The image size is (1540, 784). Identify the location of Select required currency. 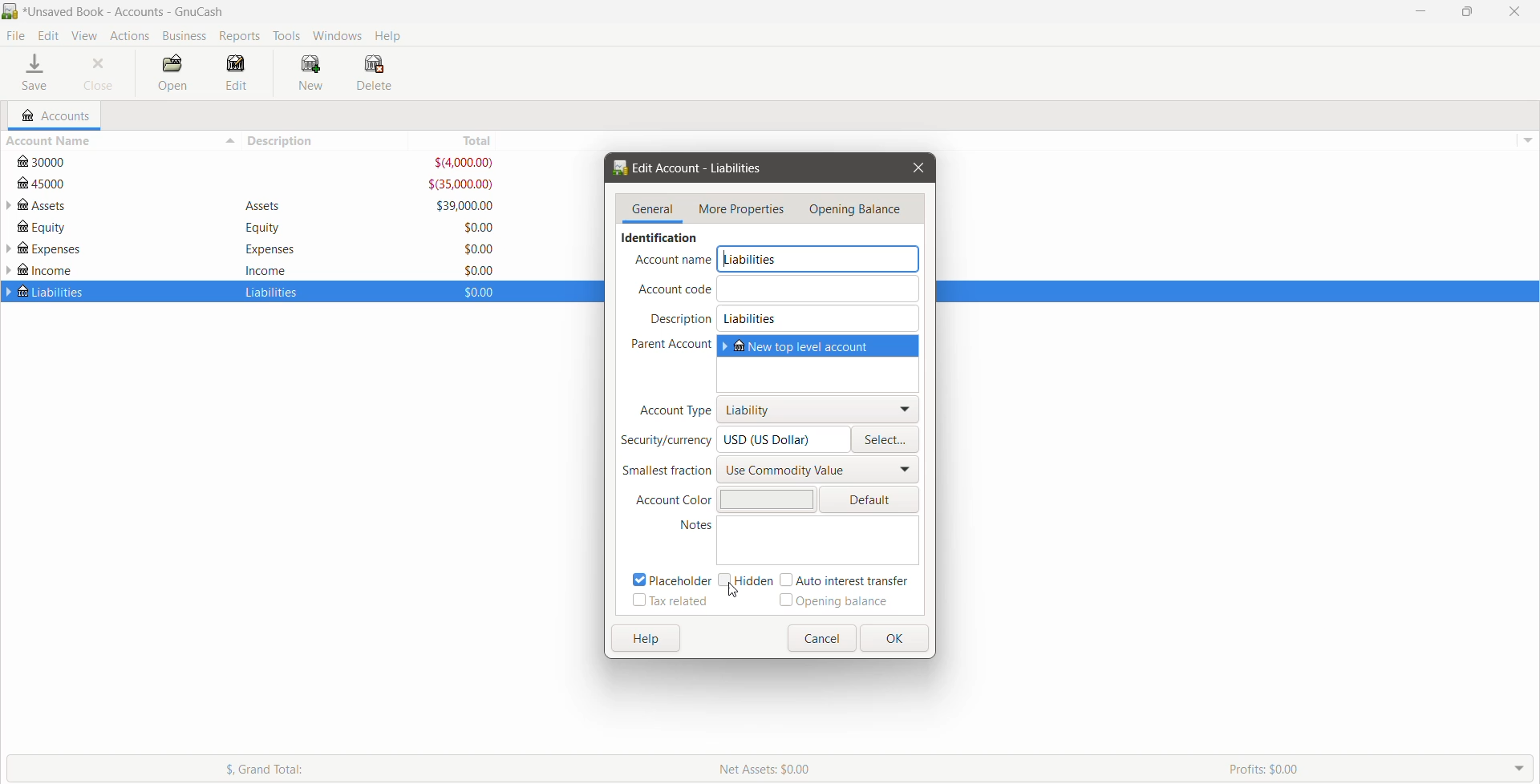
(887, 439).